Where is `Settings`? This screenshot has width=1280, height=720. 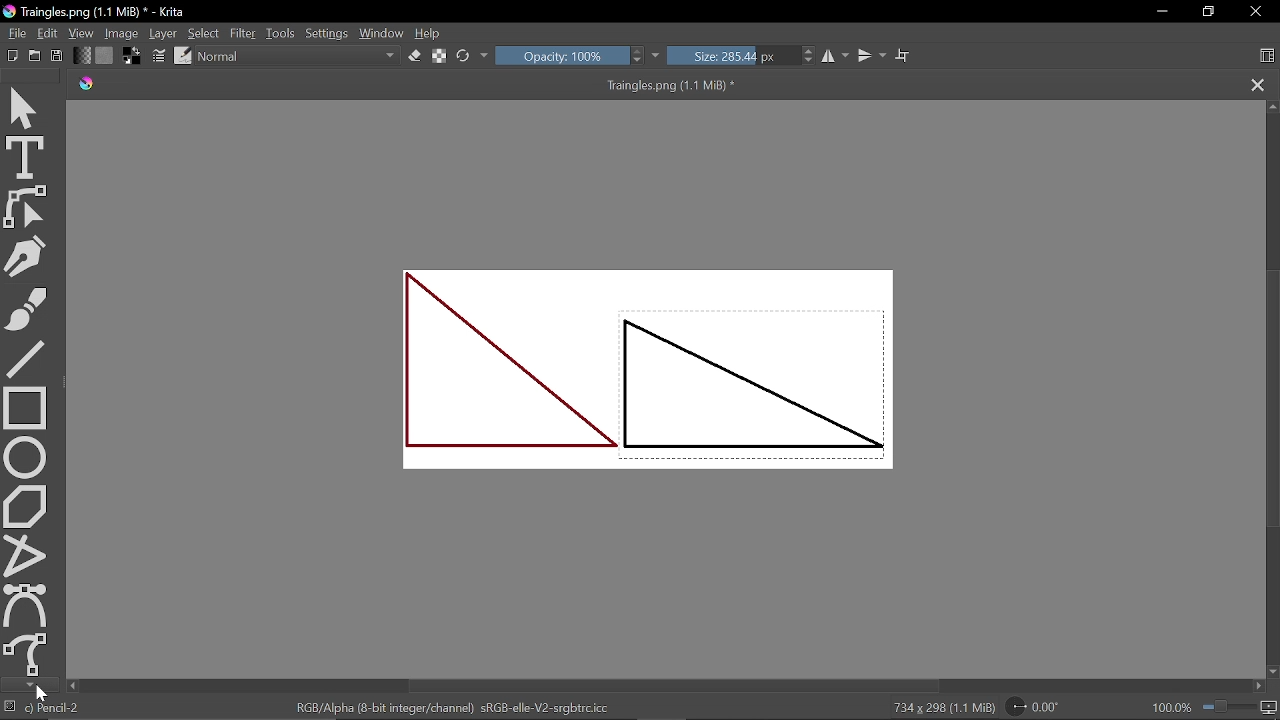
Settings is located at coordinates (328, 35).